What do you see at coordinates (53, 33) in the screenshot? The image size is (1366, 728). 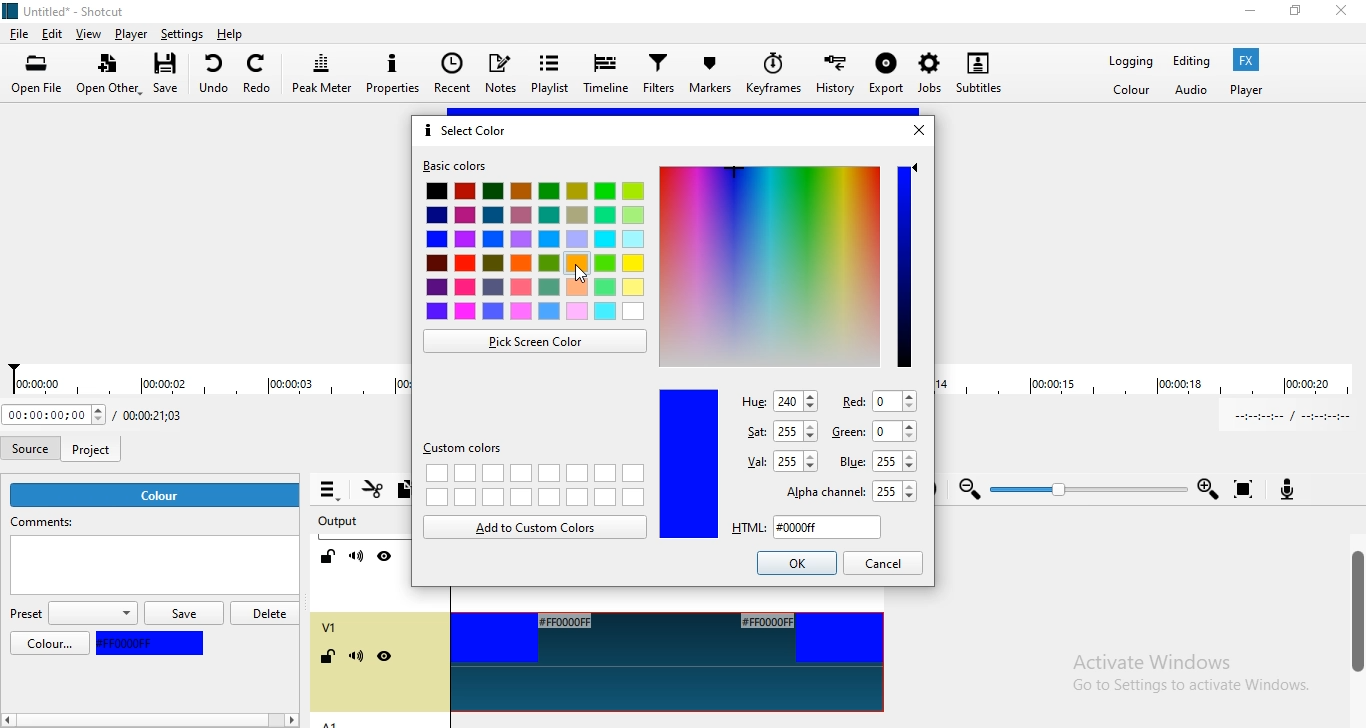 I see `Edit` at bounding box center [53, 33].